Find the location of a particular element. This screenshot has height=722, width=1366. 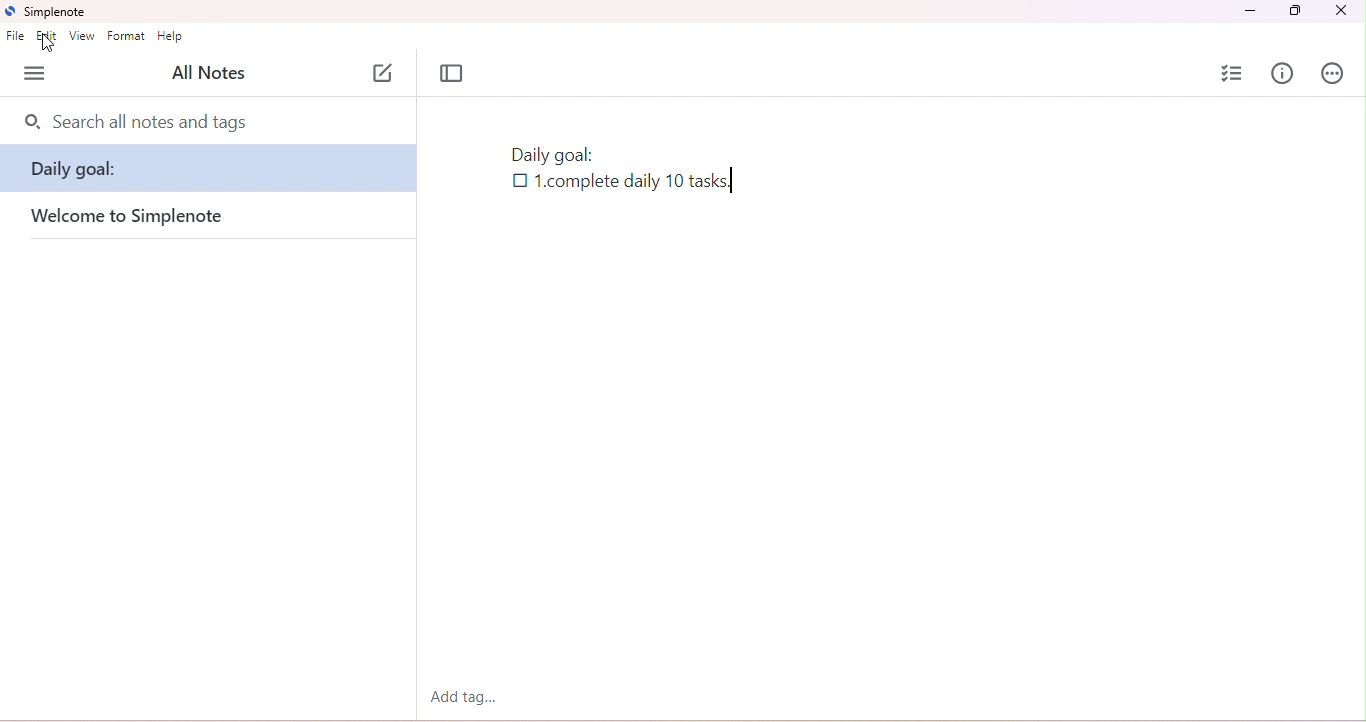

maximize is located at coordinates (1293, 11).